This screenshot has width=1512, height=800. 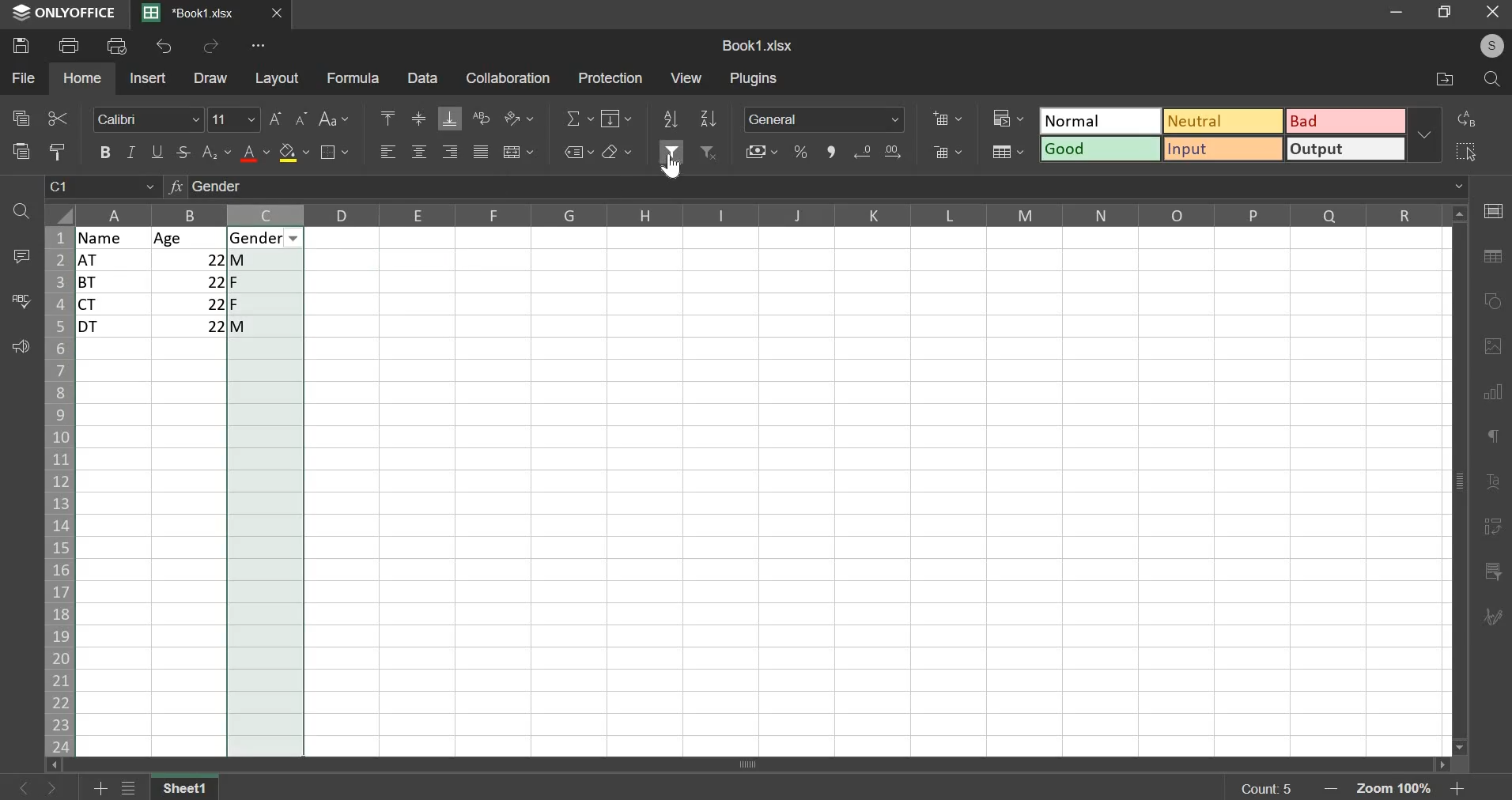 What do you see at coordinates (825, 119) in the screenshot?
I see `number format` at bounding box center [825, 119].